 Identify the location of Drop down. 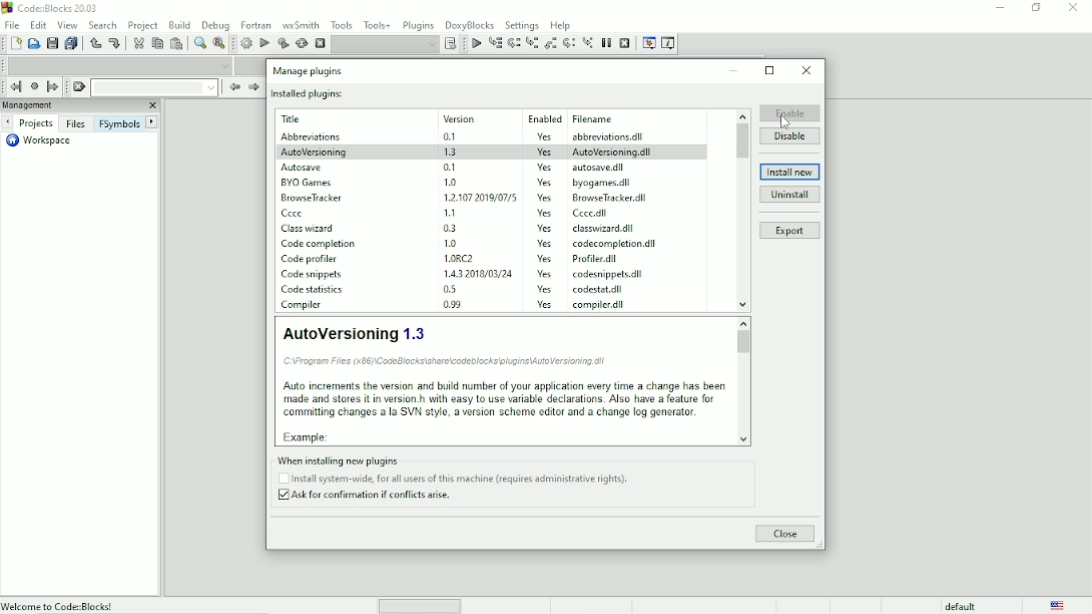
(117, 65).